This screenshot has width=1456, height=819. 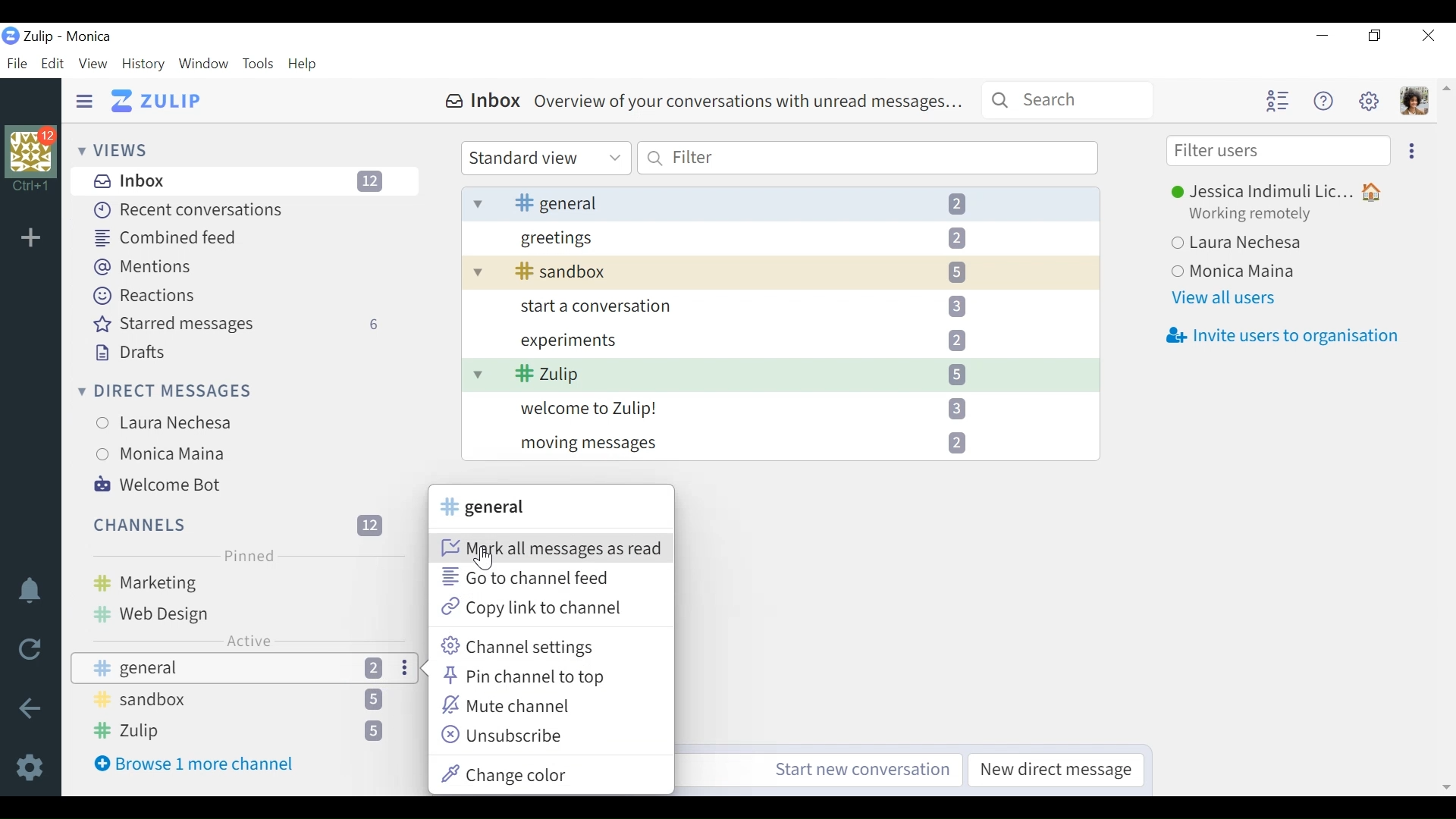 What do you see at coordinates (240, 423) in the screenshot?
I see `Laura Nechesa` at bounding box center [240, 423].